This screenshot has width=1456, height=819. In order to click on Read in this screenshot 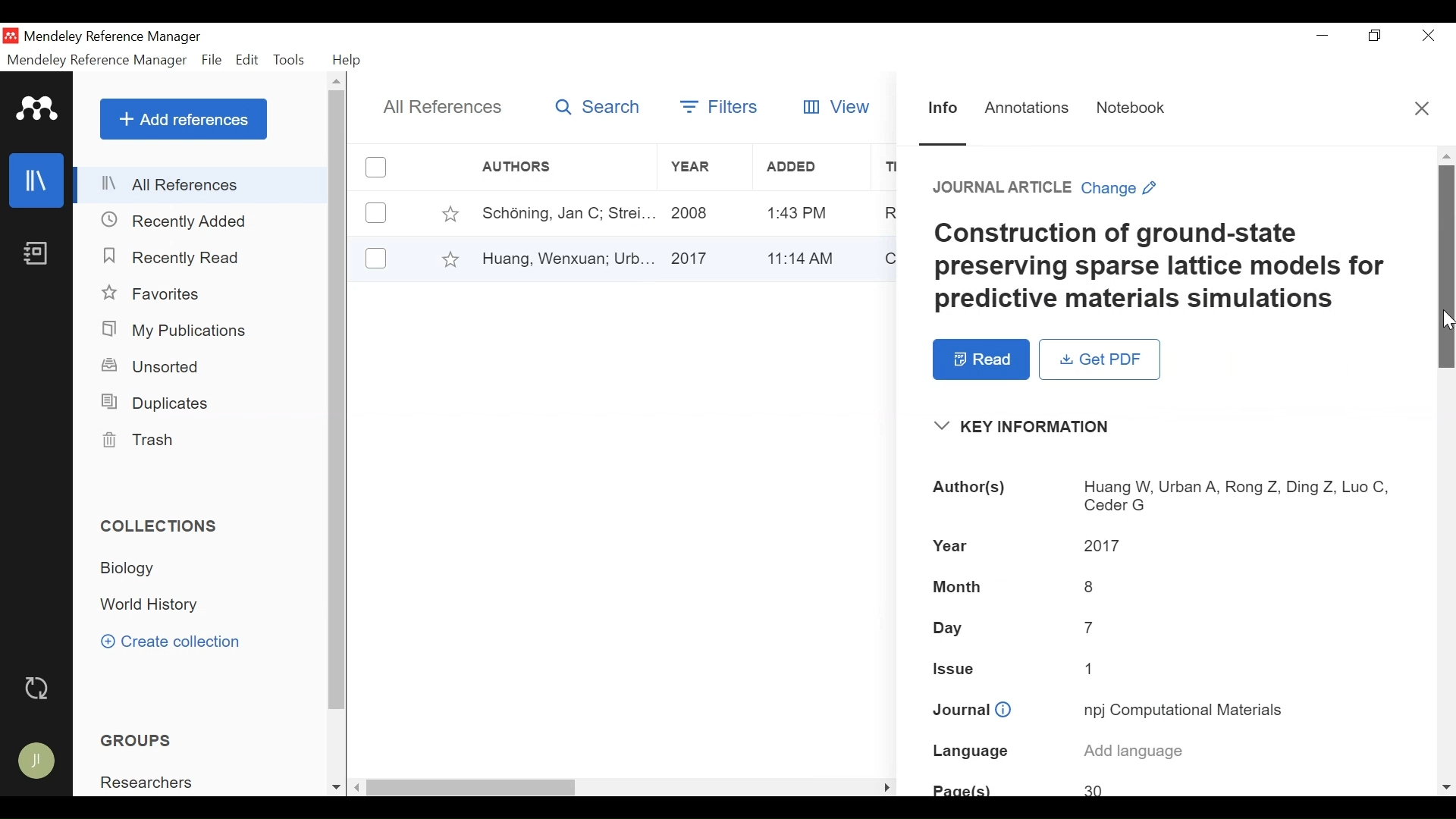, I will do `click(981, 359)`.